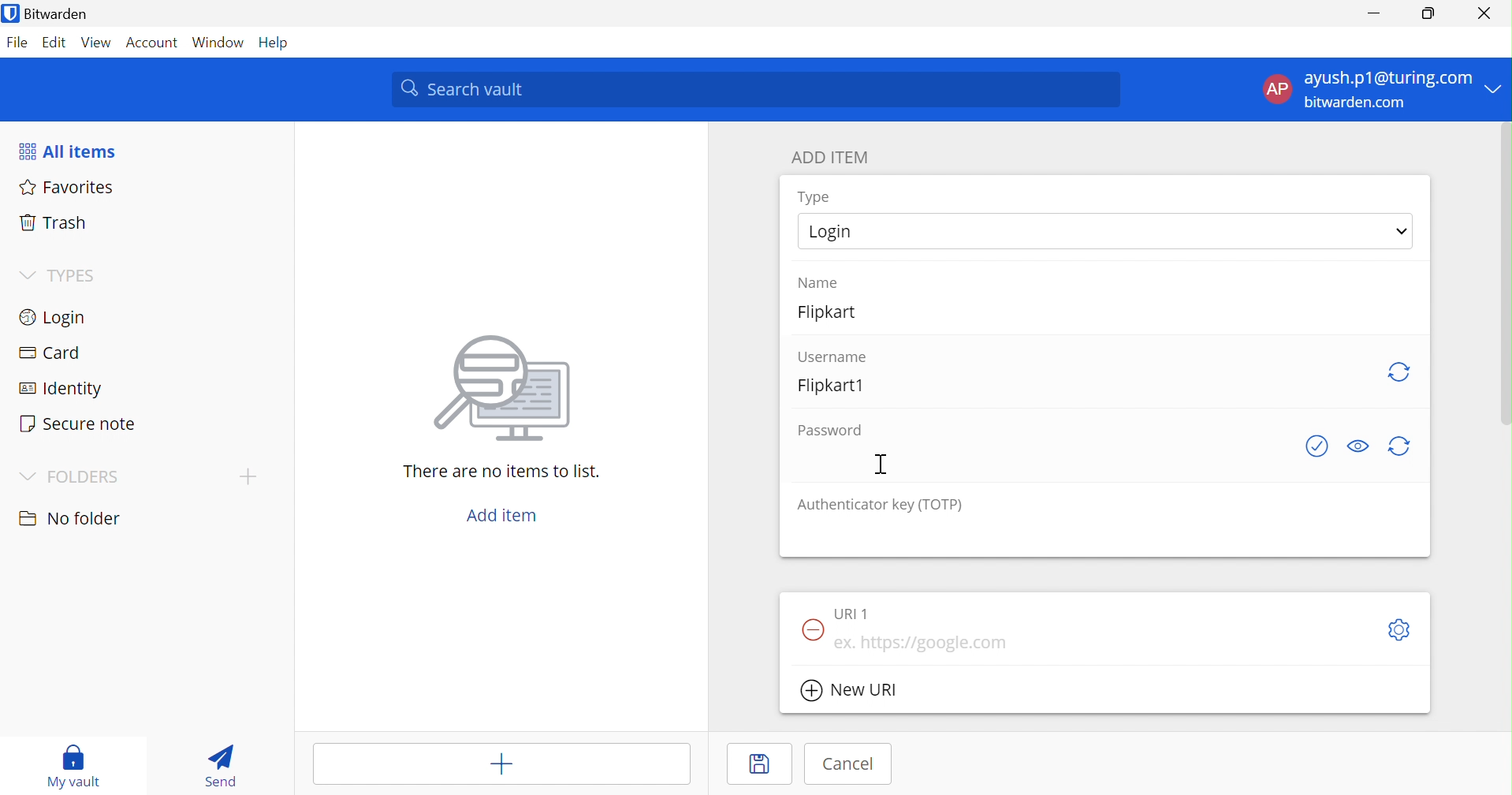  I want to click on My vault, so click(76, 765).